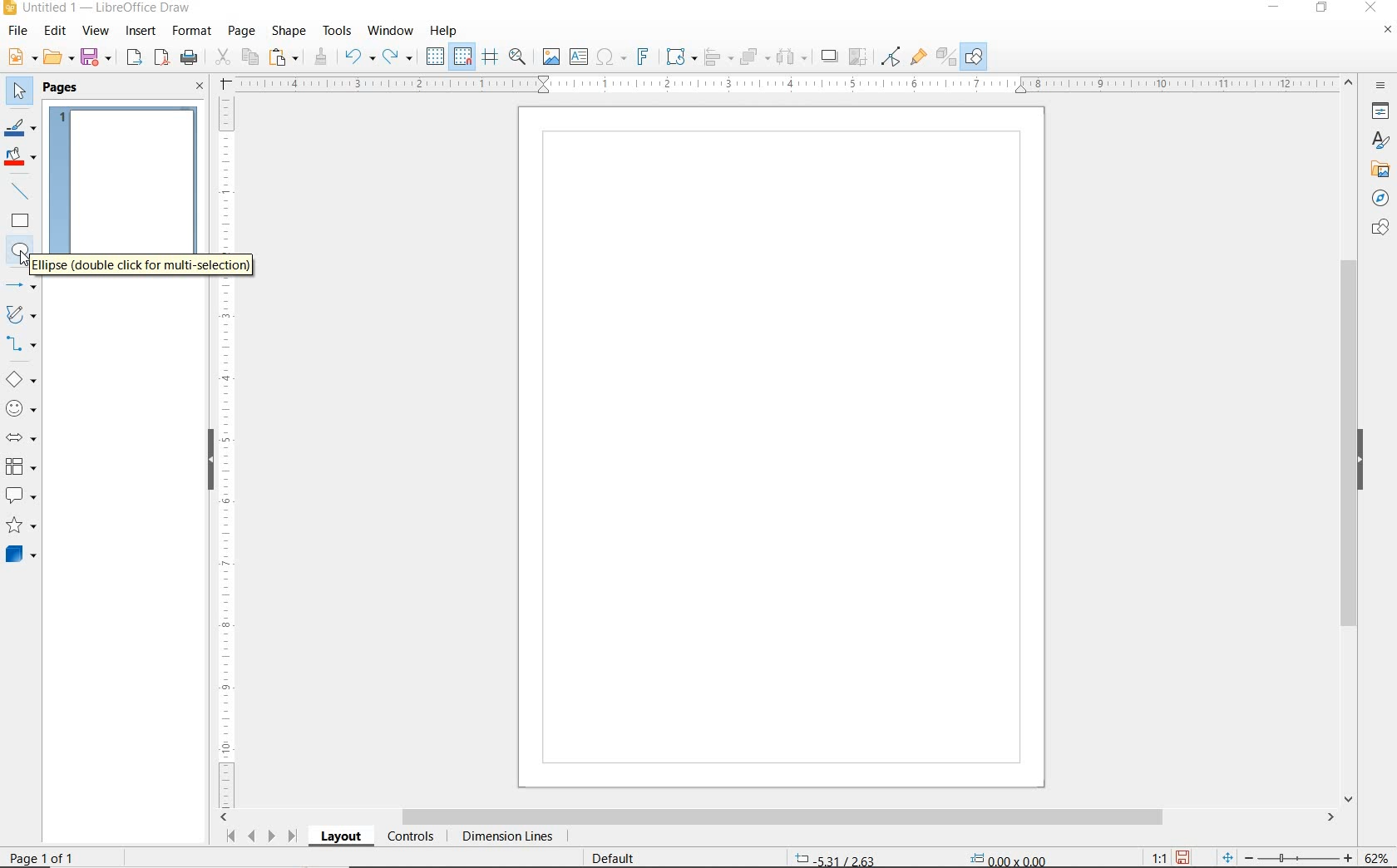  What do you see at coordinates (135, 58) in the screenshot?
I see `EXPORT` at bounding box center [135, 58].